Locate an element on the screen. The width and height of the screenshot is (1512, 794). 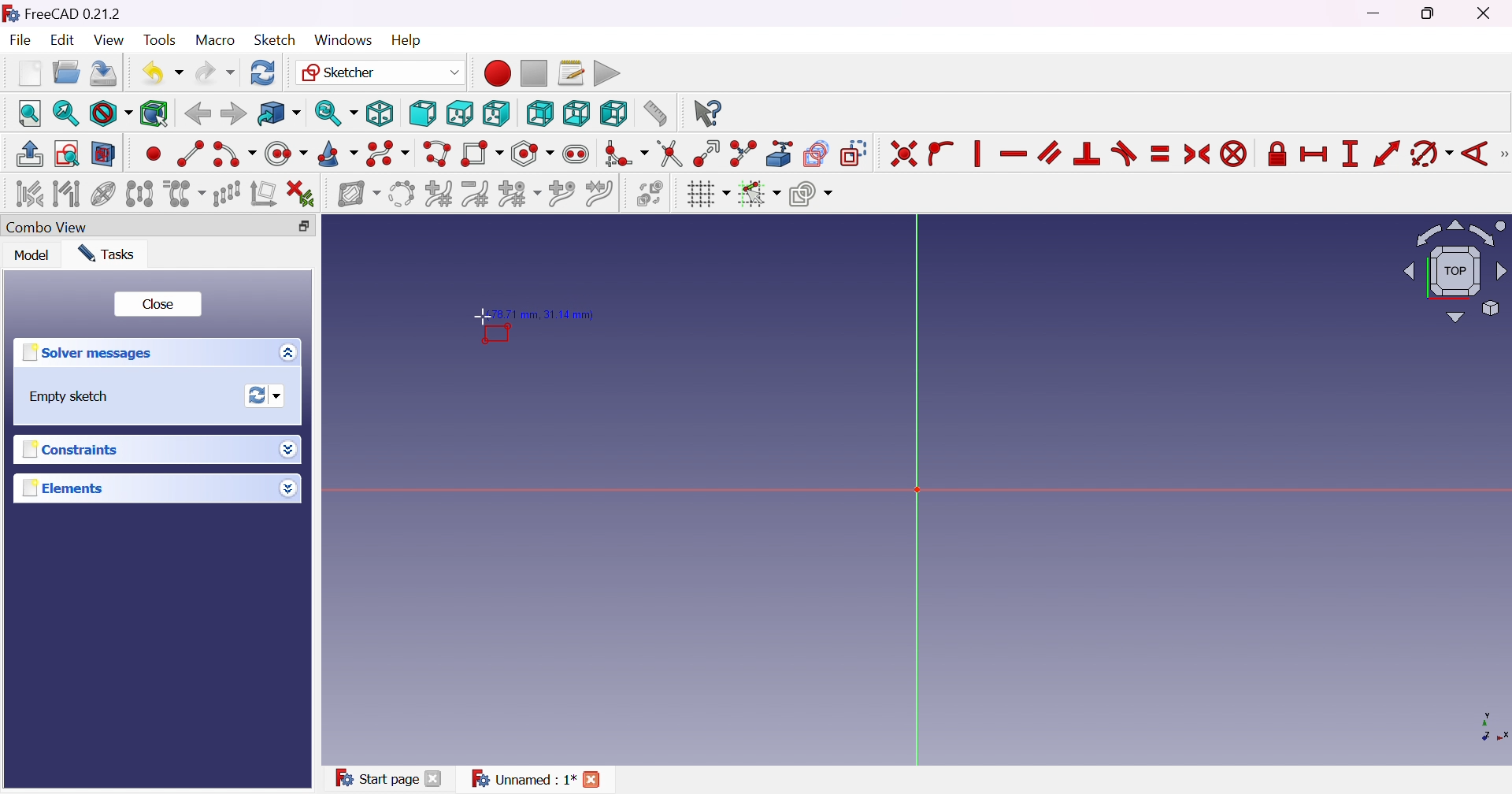
Constrain lock is located at coordinates (1275, 155).